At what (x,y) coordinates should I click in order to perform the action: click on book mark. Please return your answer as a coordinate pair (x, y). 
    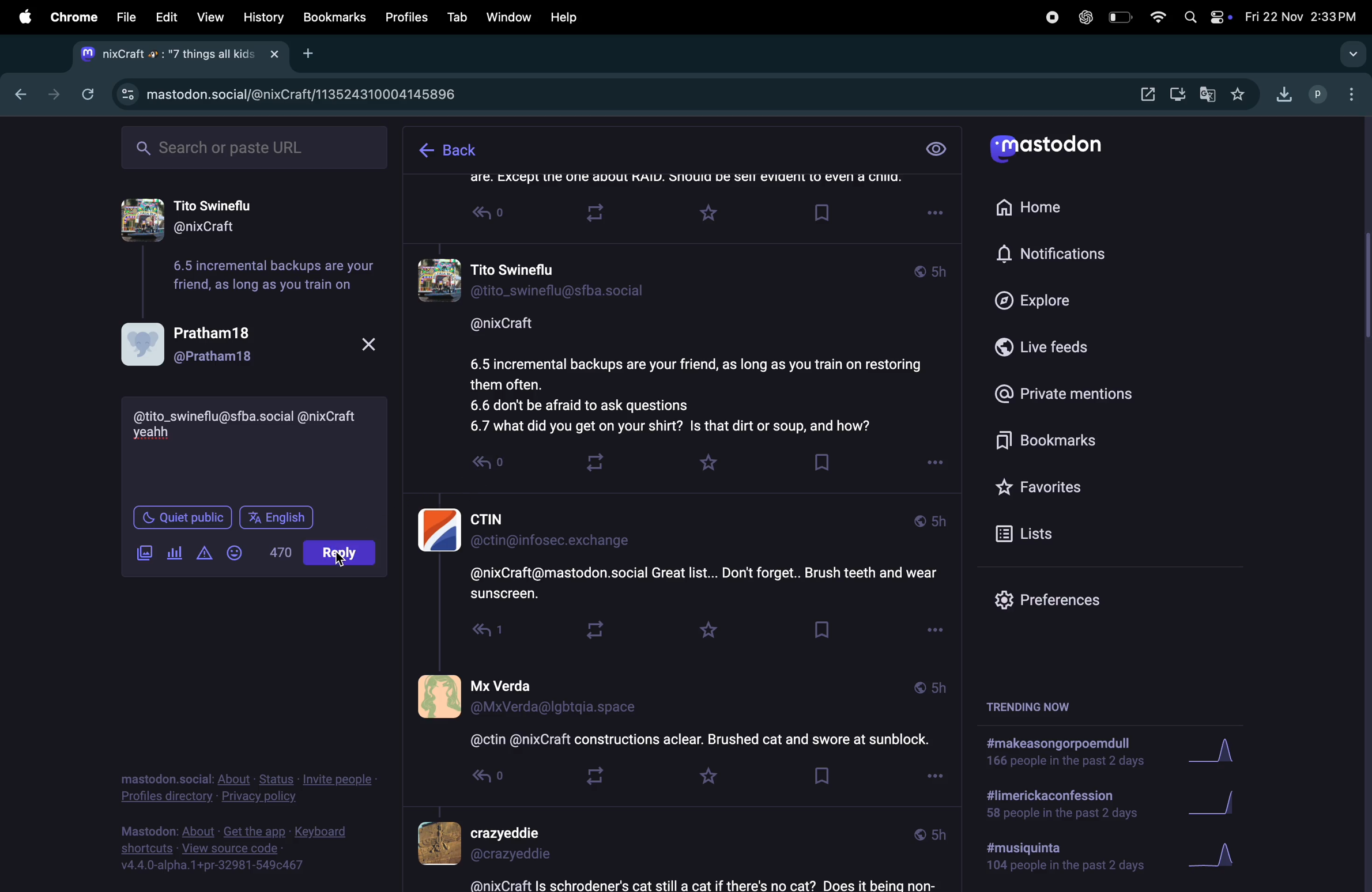
    Looking at the image, I should click on (819, 462).